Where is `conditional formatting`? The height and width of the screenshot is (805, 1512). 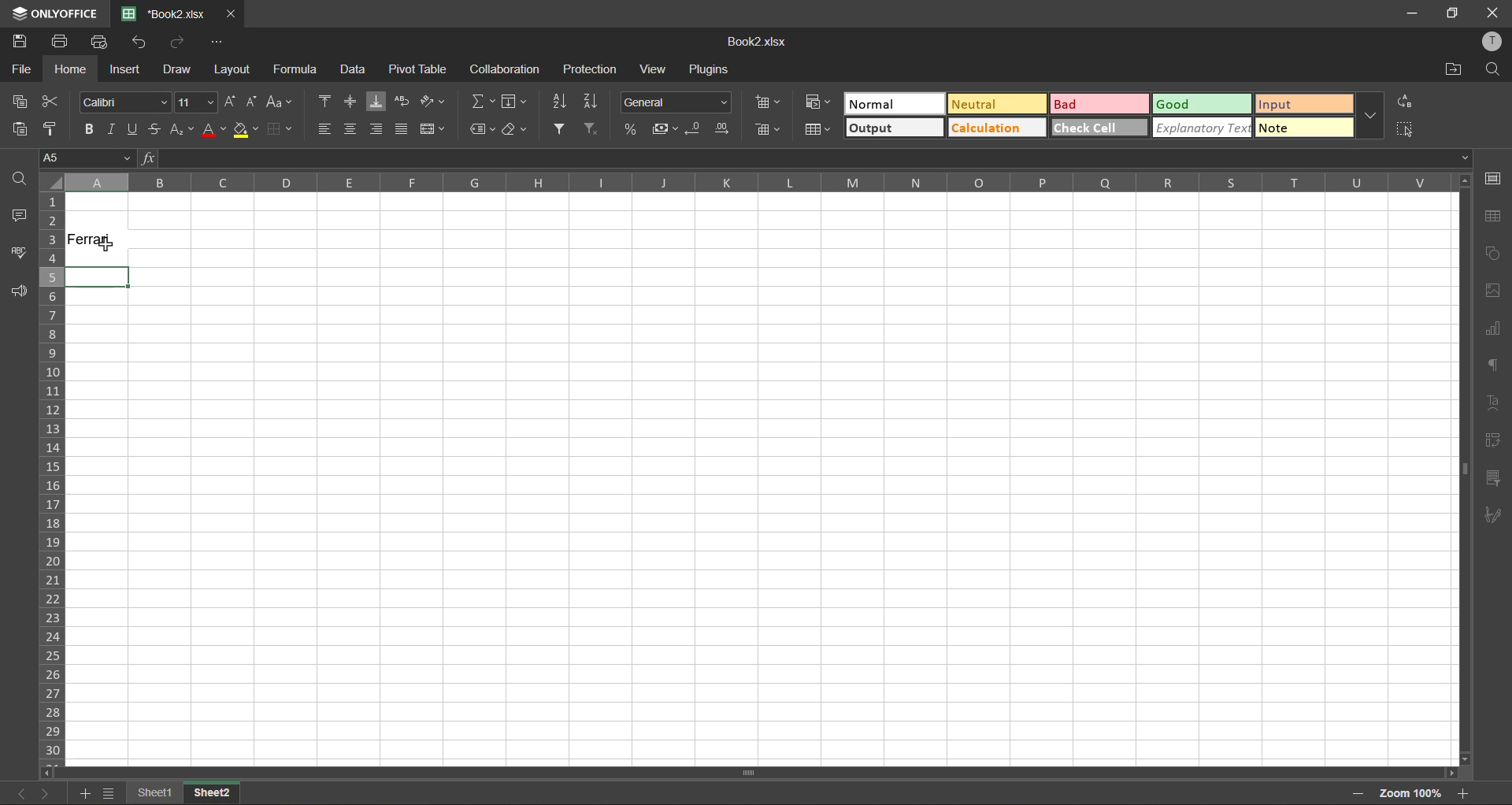 conditional formatting is located at coordinates (818, 103).